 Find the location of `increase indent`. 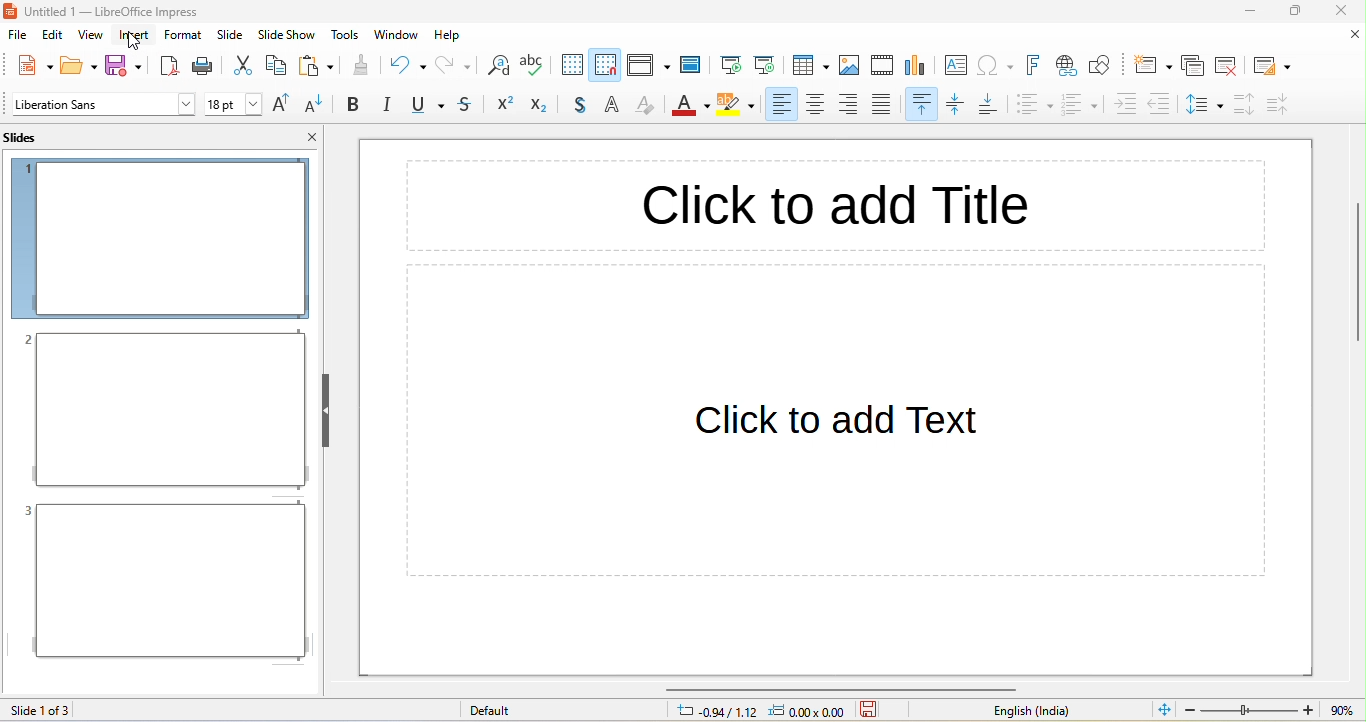

increase indent is located at coordinates (1125, 105).